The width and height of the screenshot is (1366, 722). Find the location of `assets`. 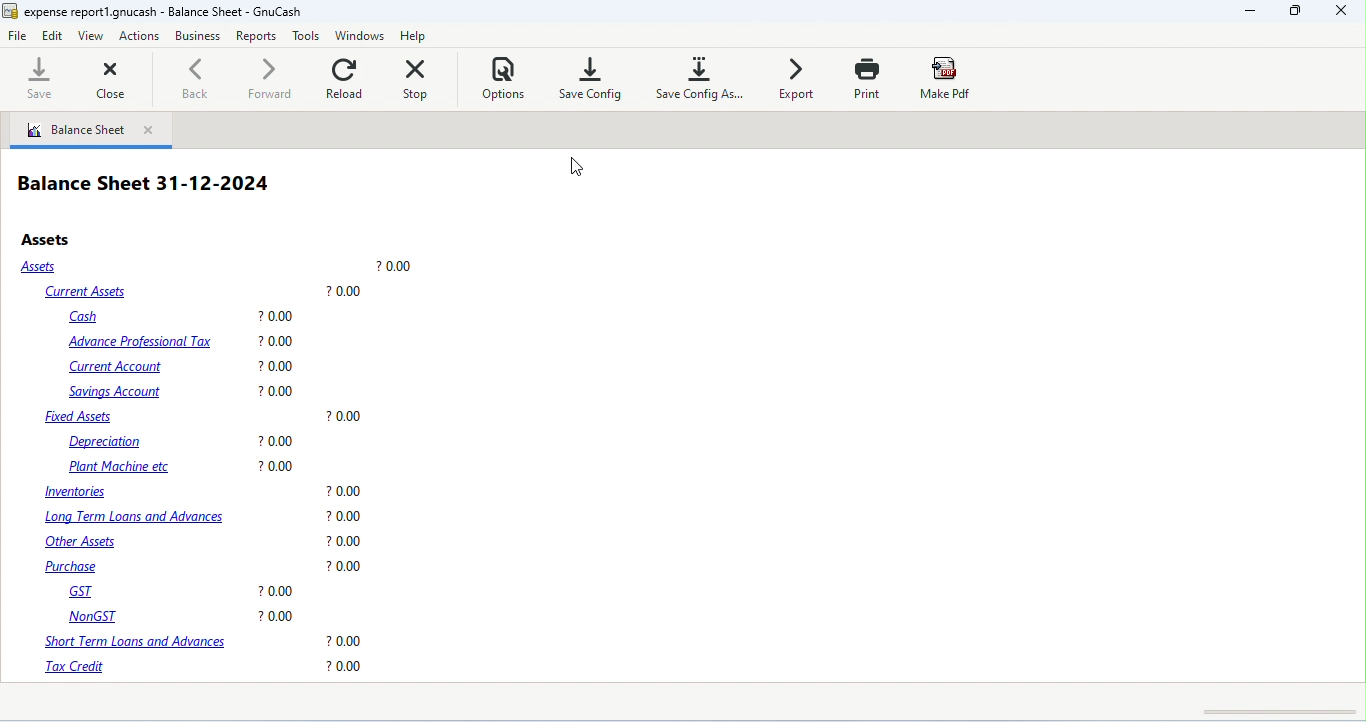

assets is located at coordinates (49, 239).